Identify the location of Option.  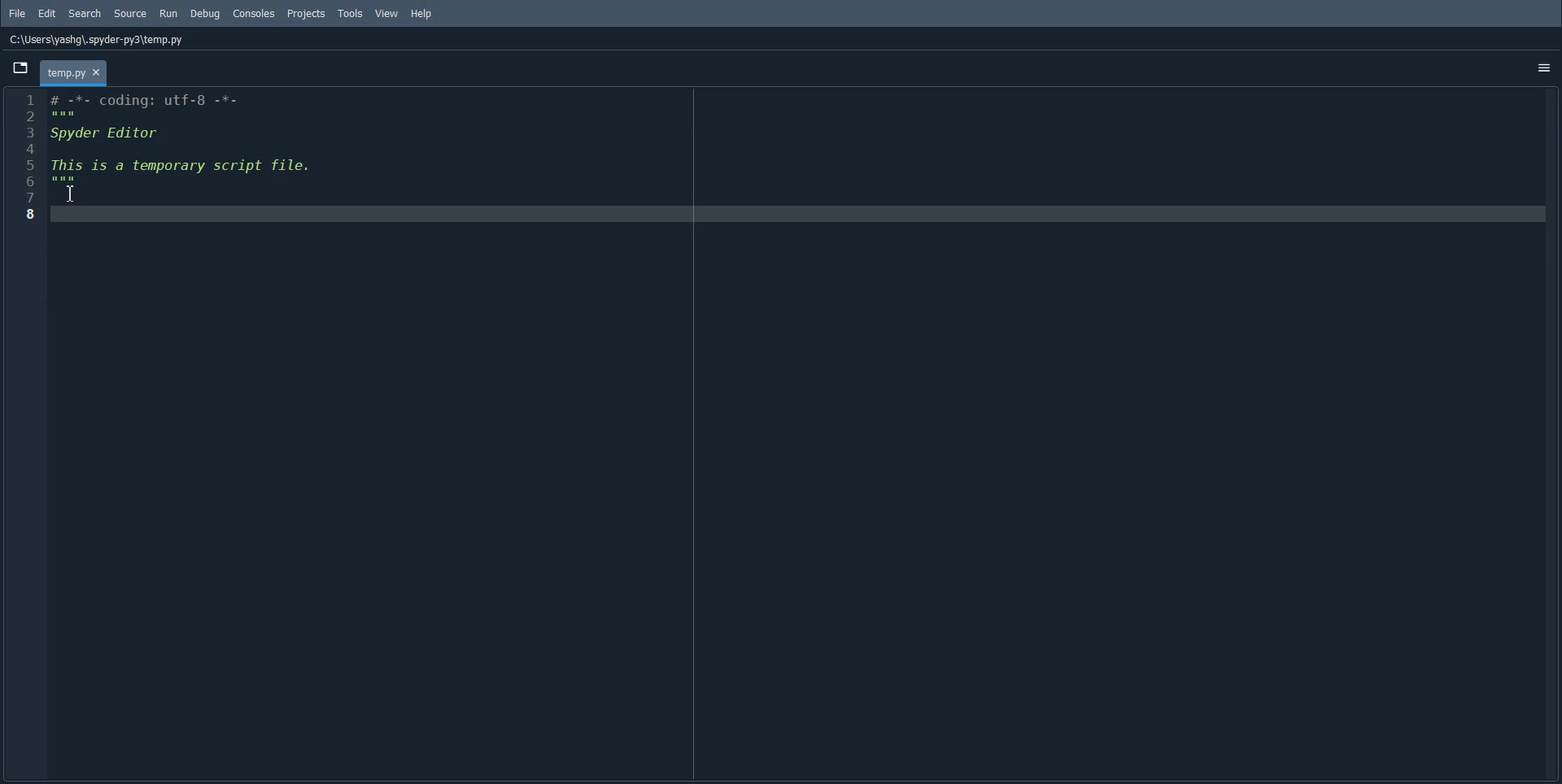
(1544, 68).